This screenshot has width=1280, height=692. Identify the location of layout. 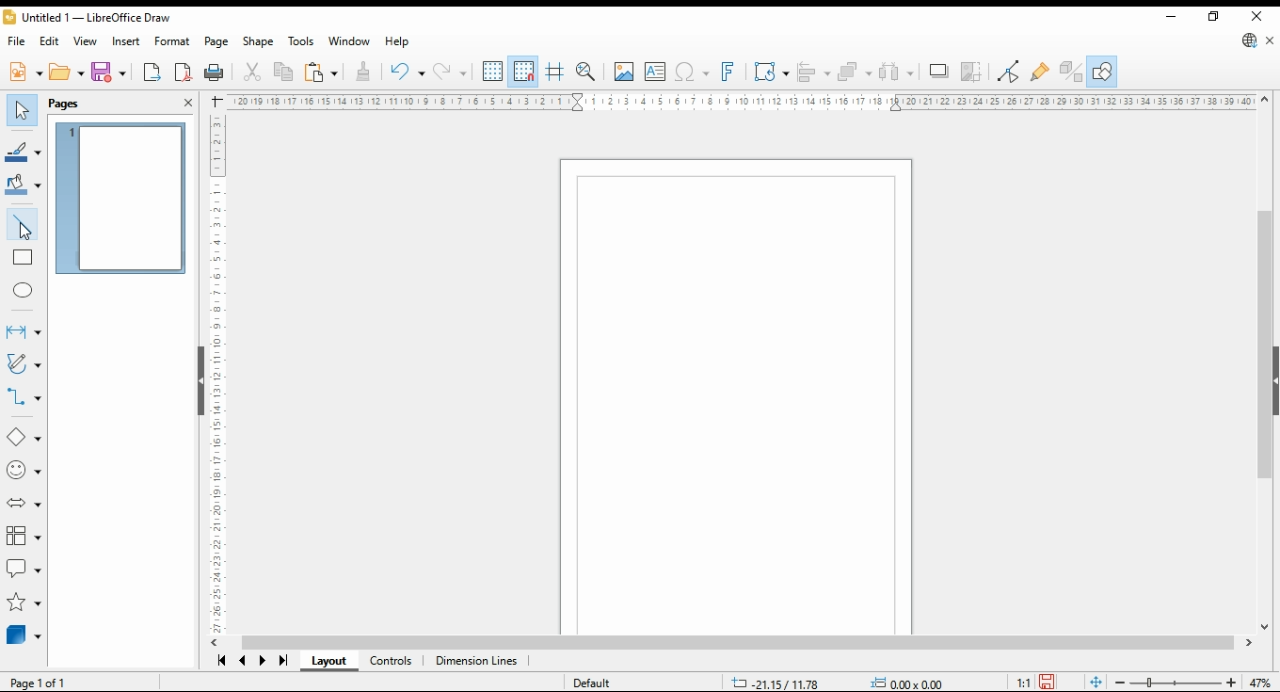
(328, 662).